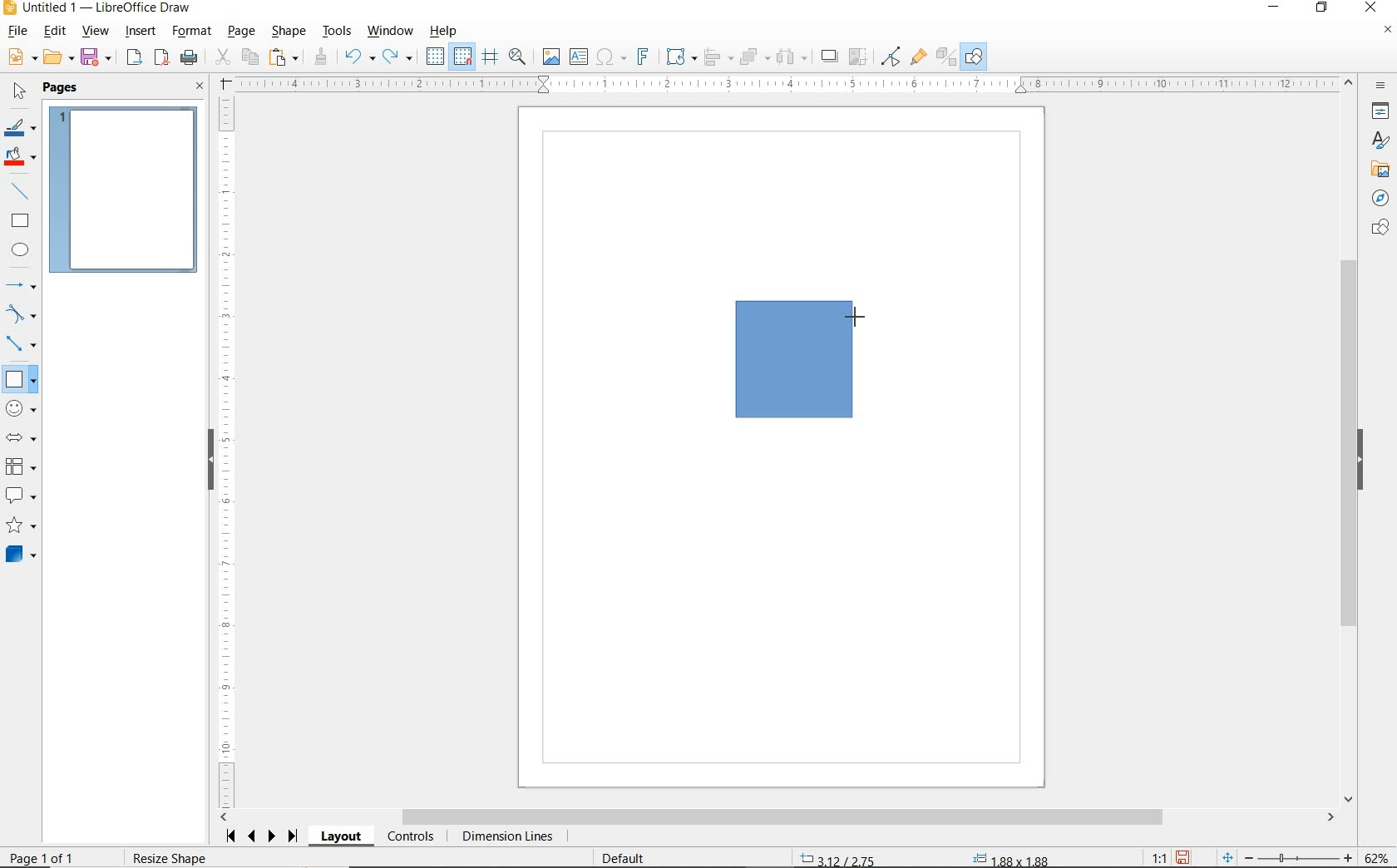  Describe the element at coordinates (777, 817) in the screenshot. I see `SCROLLBAR` at that location.